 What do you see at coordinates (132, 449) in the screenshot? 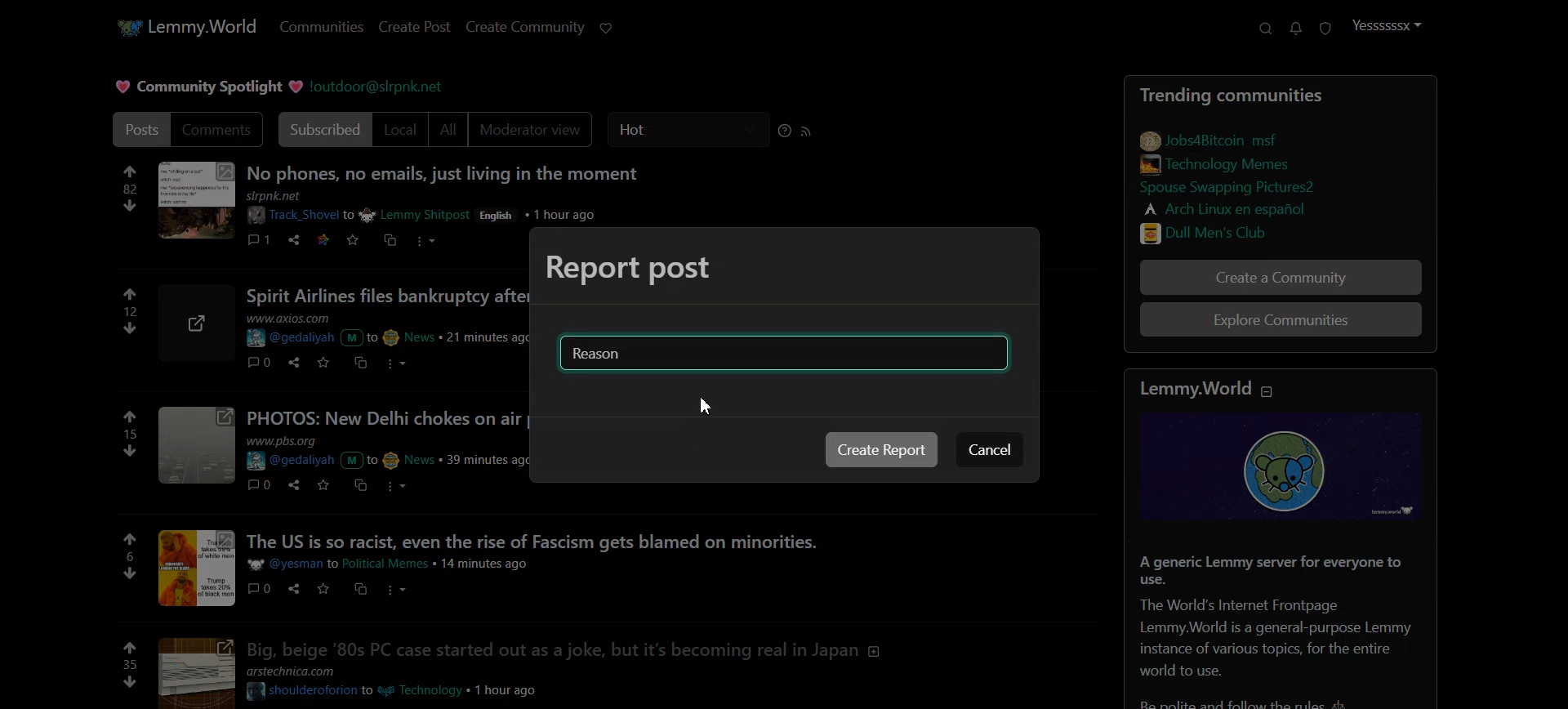
I see `downvote` at bounding box center [132, 449].